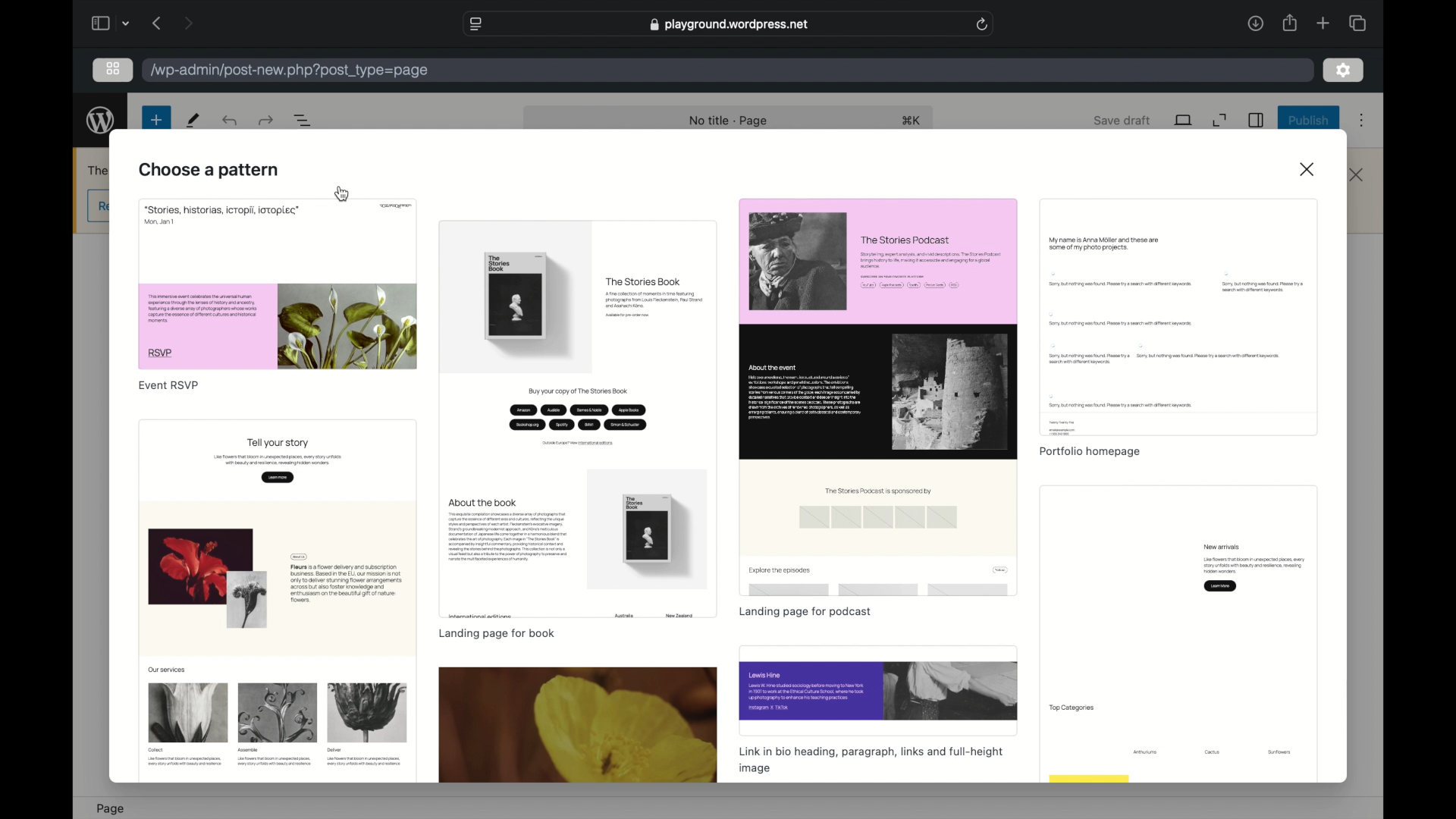  What do you see at coordinates (1255, 23) in the screenshot?
I see `downloads` at bounding box center [1255, 23].